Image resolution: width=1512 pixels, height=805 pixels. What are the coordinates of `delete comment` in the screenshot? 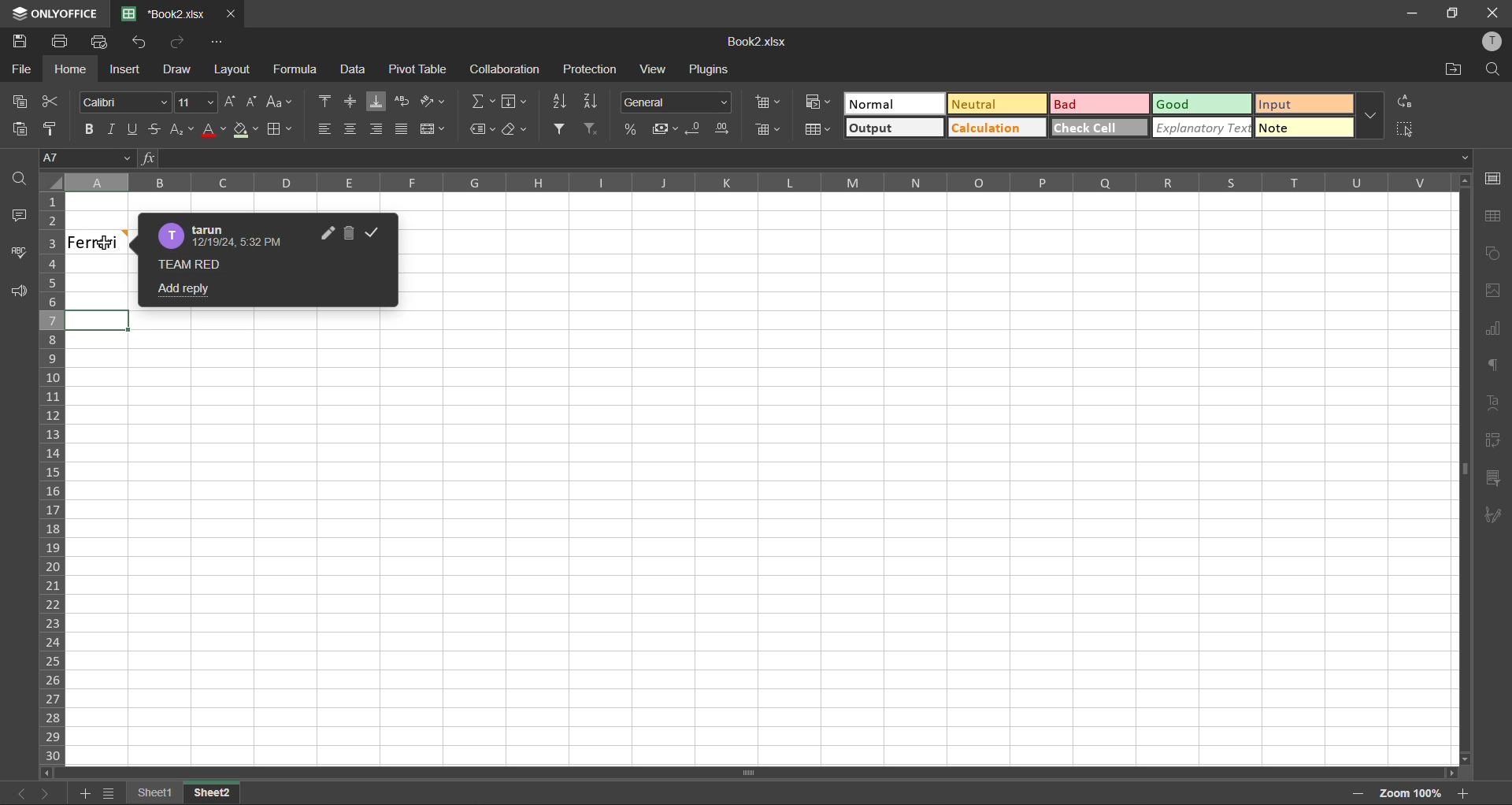 It's located at (354, 233).